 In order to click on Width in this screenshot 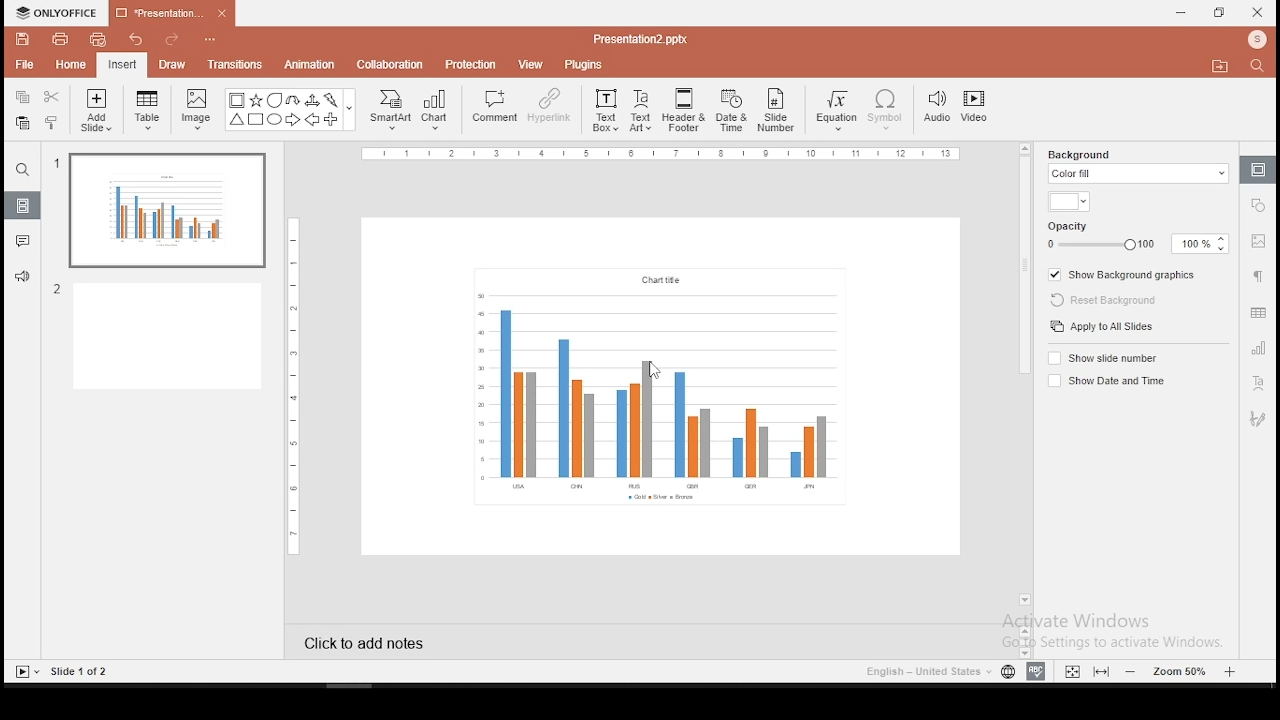, I will do `click(1102, 672)`.